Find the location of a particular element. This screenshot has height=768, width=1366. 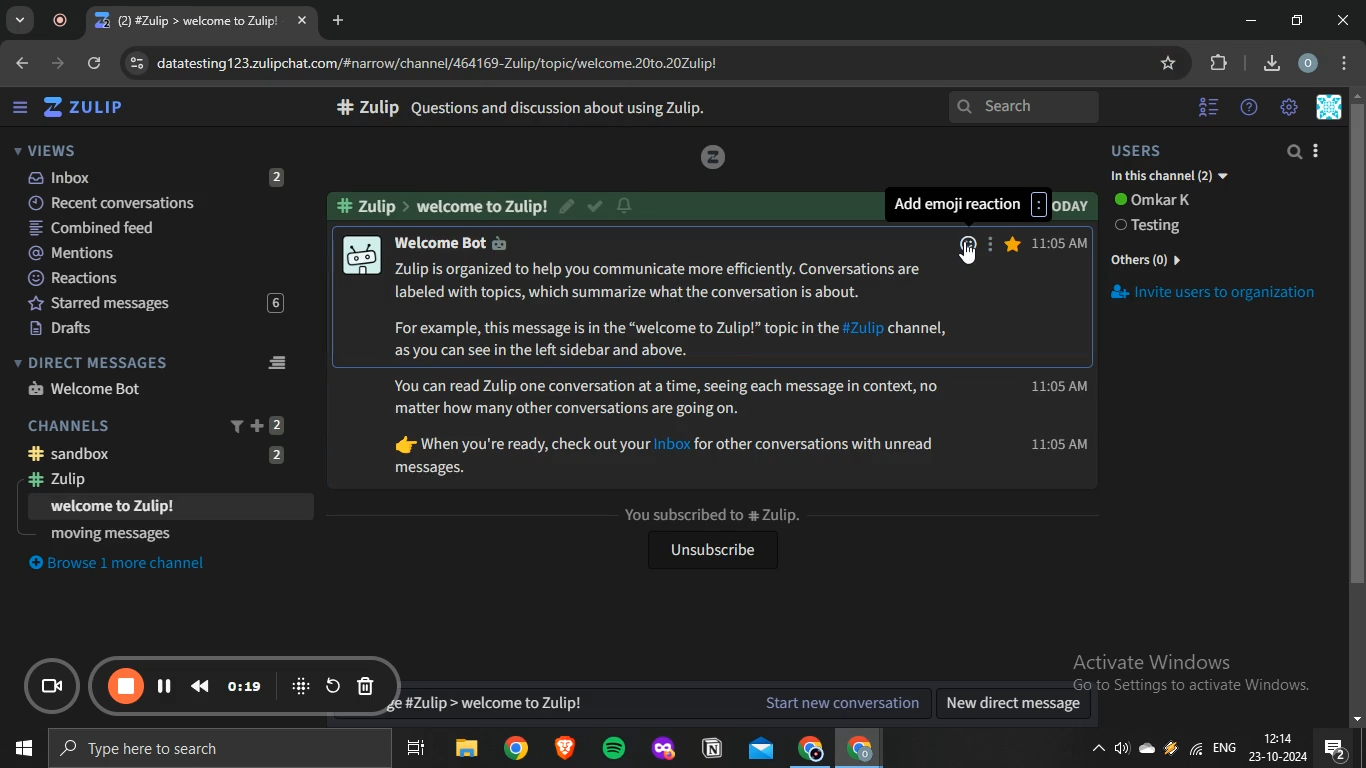

play recording is located at coordinates (165, 685).